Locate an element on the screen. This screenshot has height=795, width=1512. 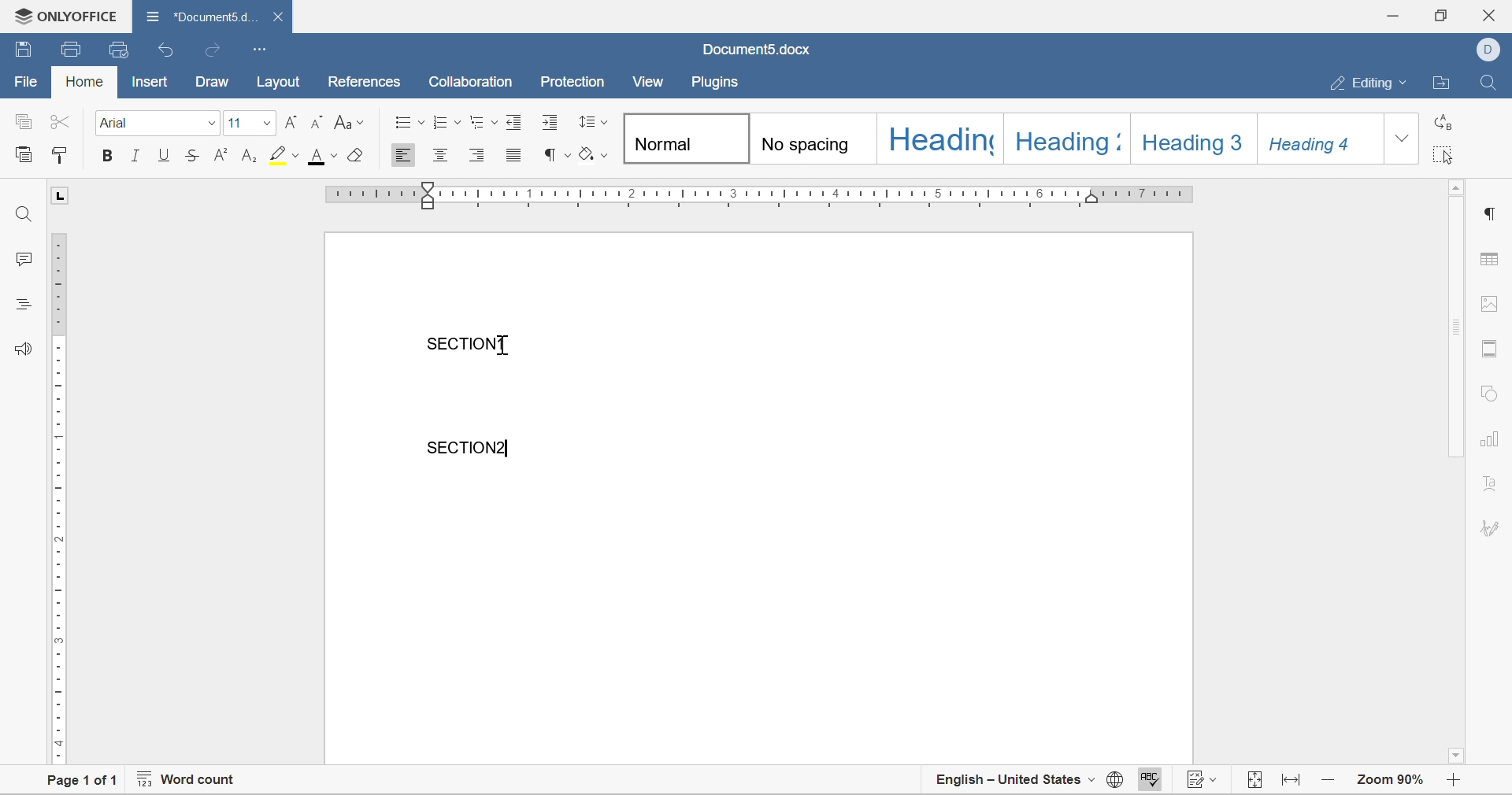
bold is located at coordinates (105, 156).